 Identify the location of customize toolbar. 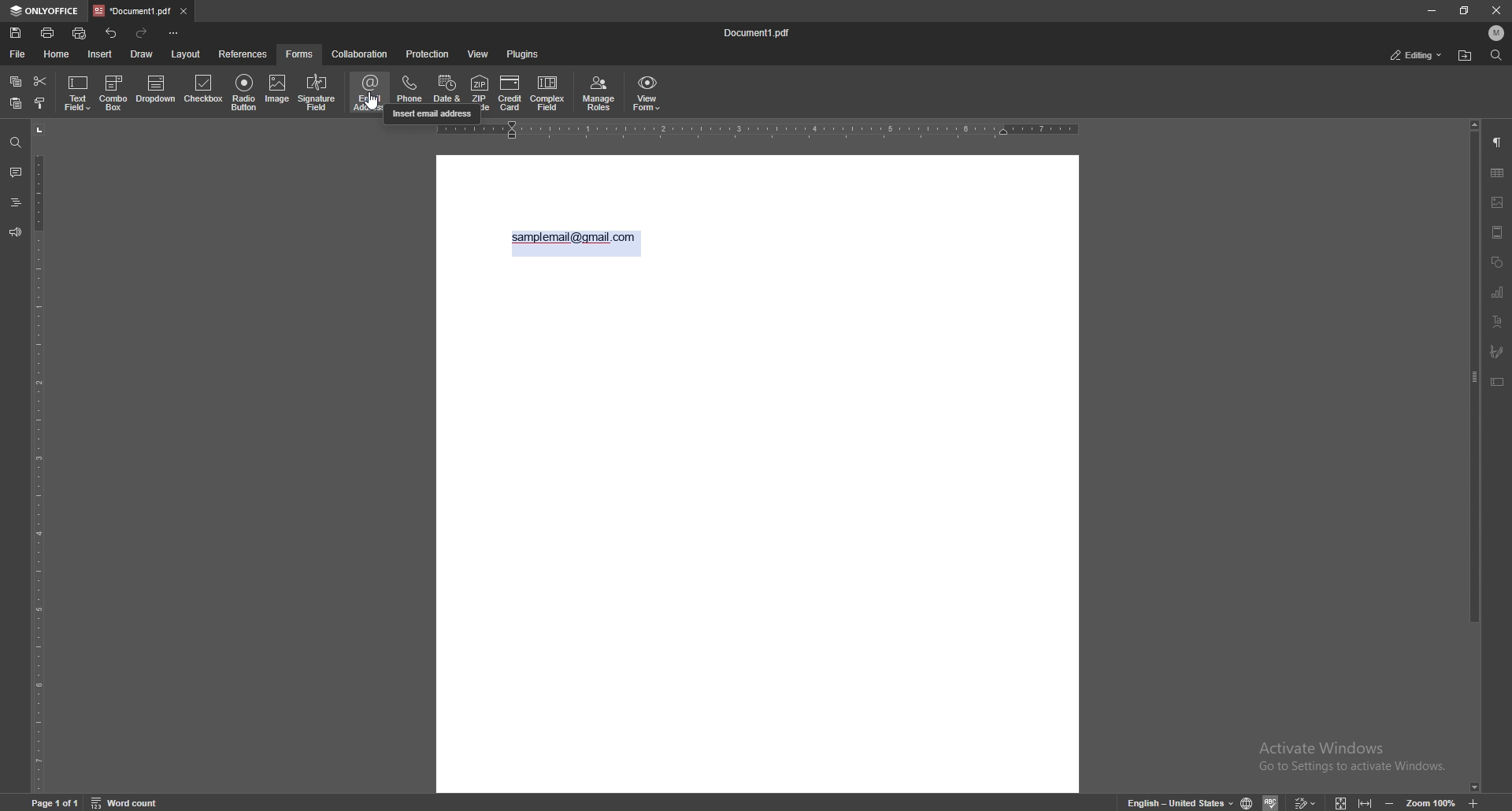
(174, 34).